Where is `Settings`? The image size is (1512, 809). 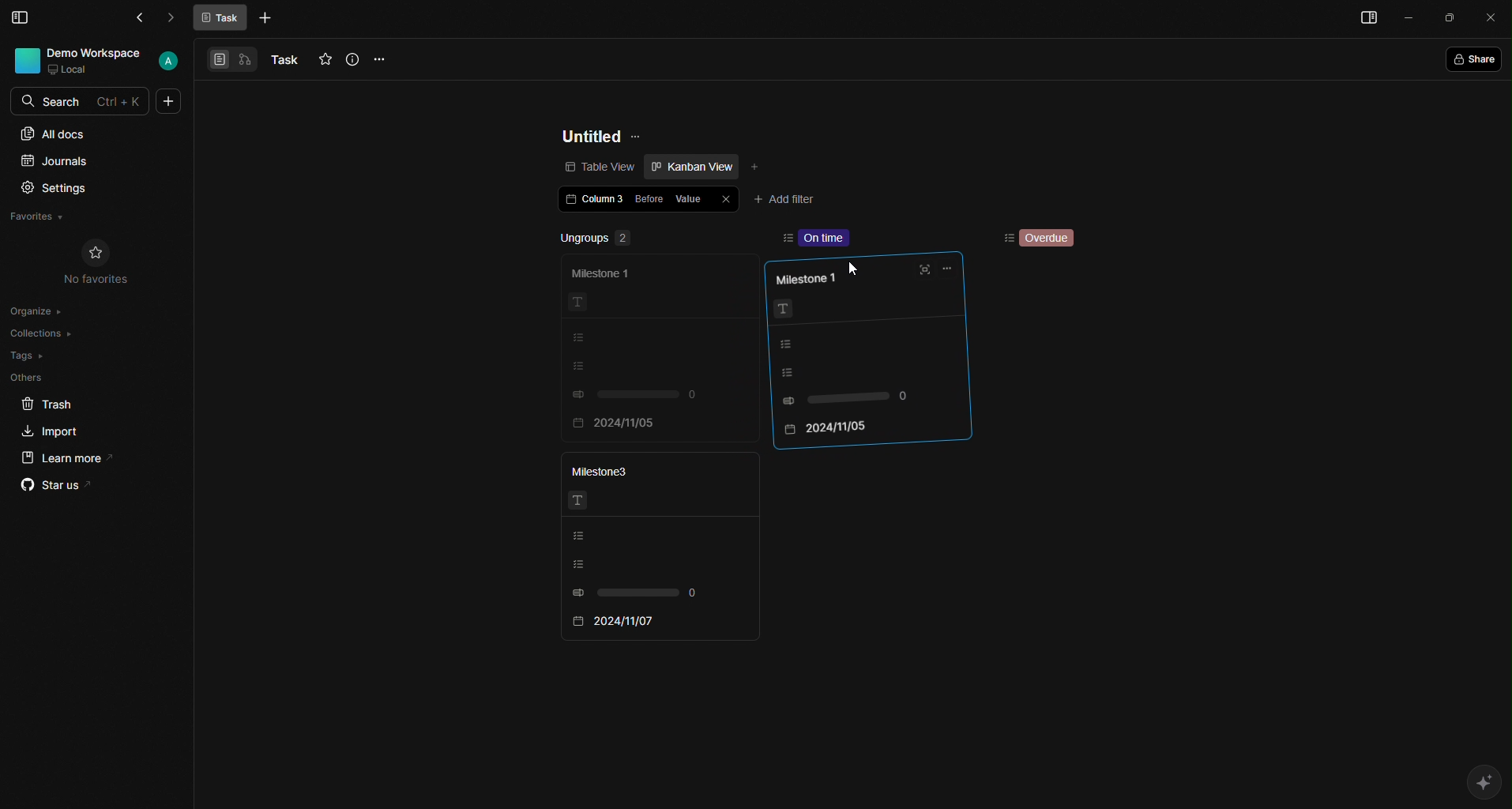
Settings is located at coordinates (54, 188).